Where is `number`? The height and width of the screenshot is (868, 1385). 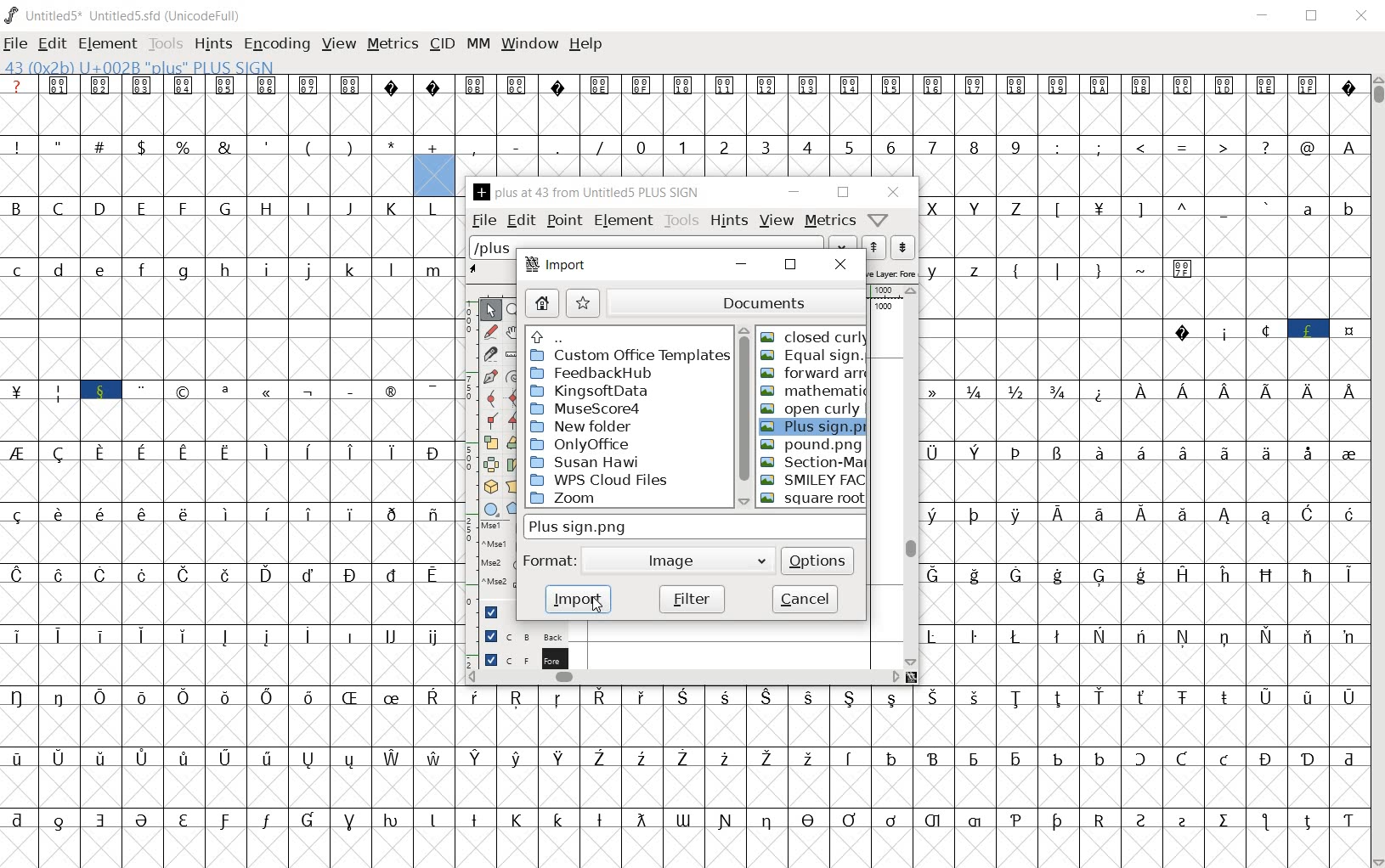
number is located at coordinates (829, 158).